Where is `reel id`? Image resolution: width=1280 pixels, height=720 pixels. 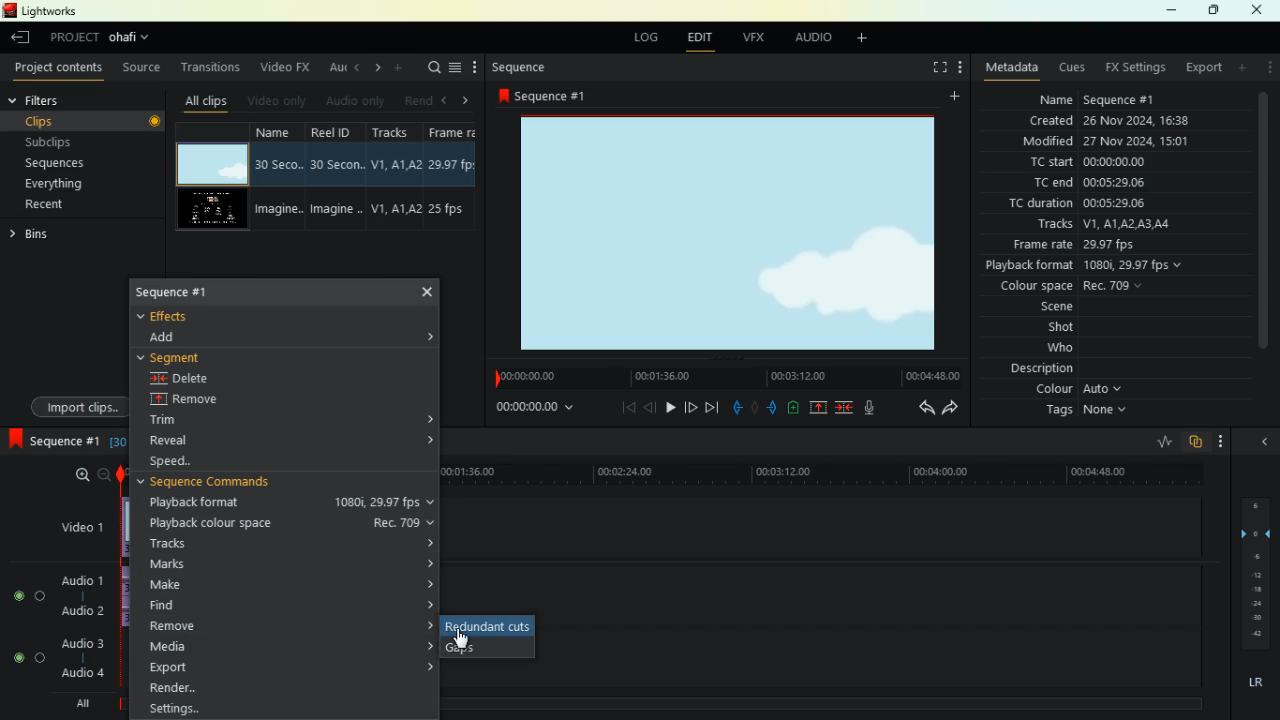 reel id is located at coordinates (337, 175).